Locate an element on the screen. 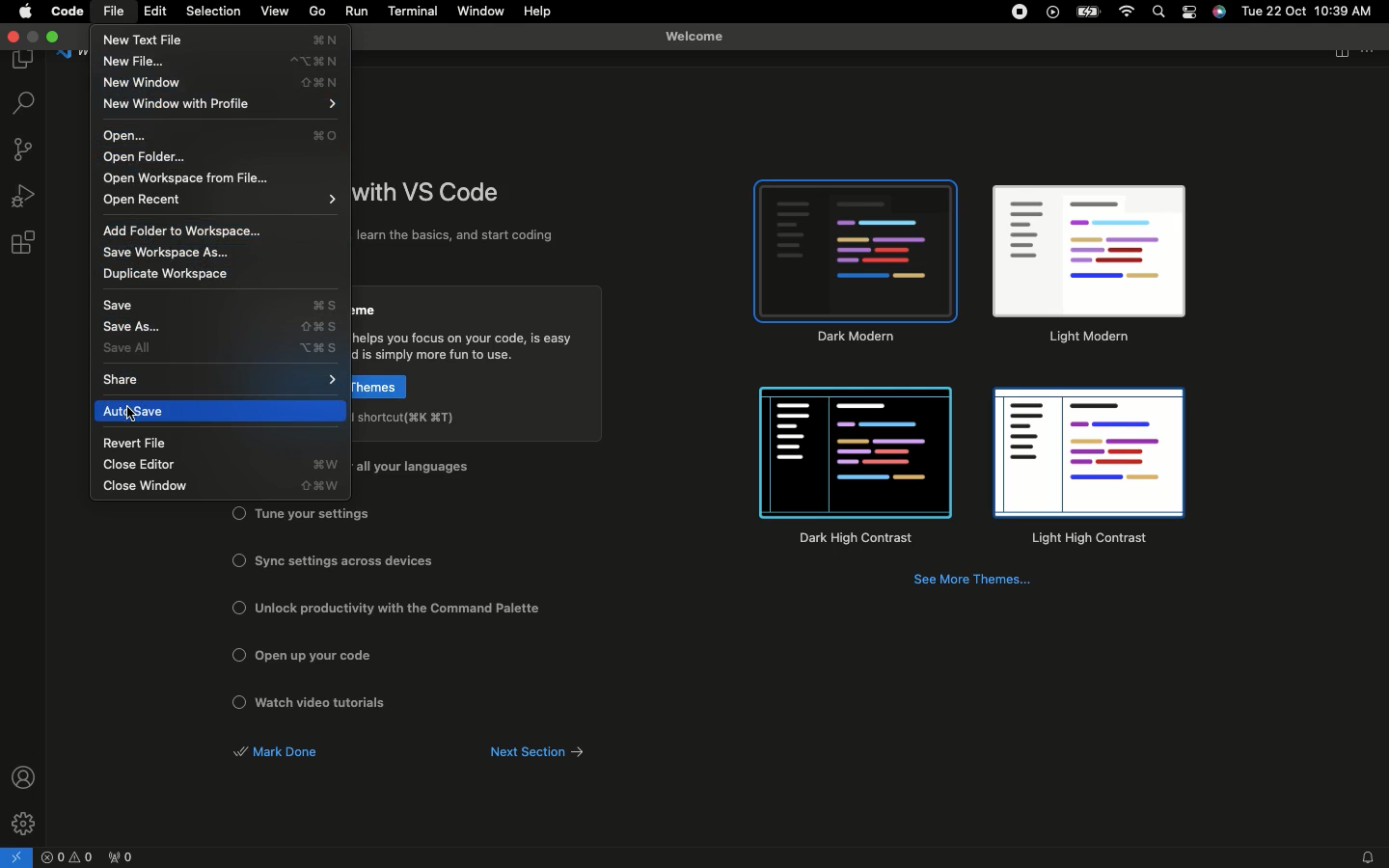 The width and height of the screenshot is (1389, 868). Code is located at coordinates (68, 14).